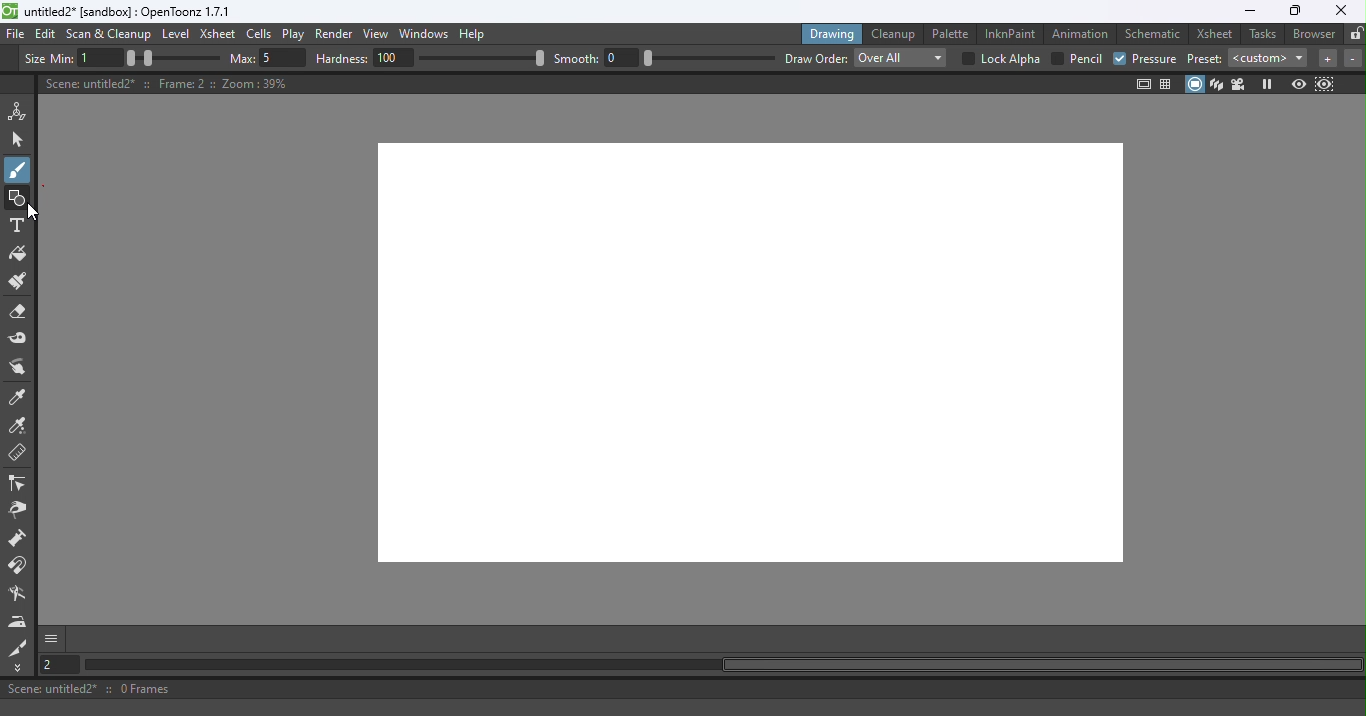  What do you see at coordinates (220, 36) in the screenshot?
I see `Xsheet` at bounding box center [220, 36].